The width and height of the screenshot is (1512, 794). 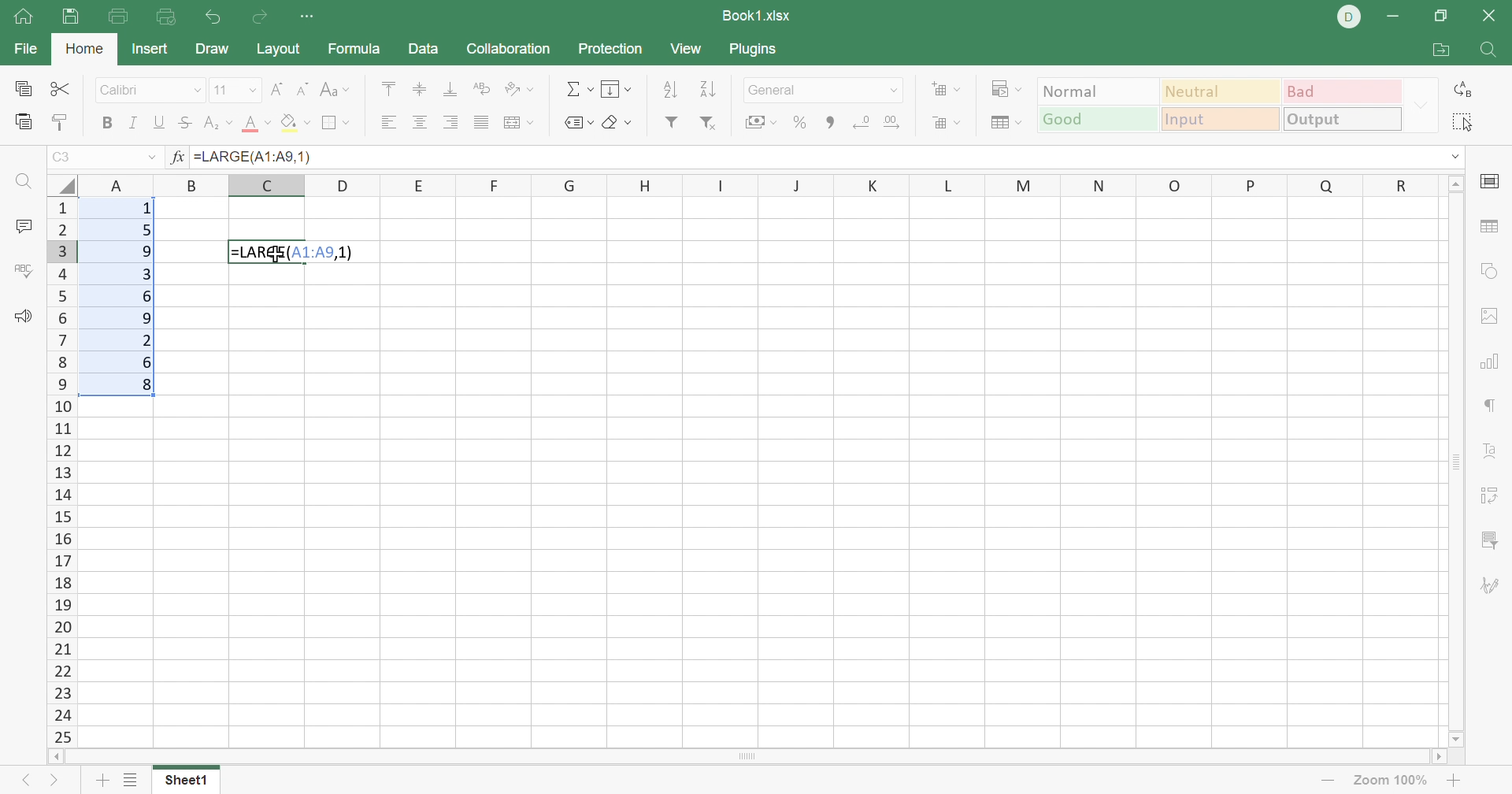 What do you see at coordinates (22, 50) in the screenshot?
I see `File` at bounding box center [22, 50].